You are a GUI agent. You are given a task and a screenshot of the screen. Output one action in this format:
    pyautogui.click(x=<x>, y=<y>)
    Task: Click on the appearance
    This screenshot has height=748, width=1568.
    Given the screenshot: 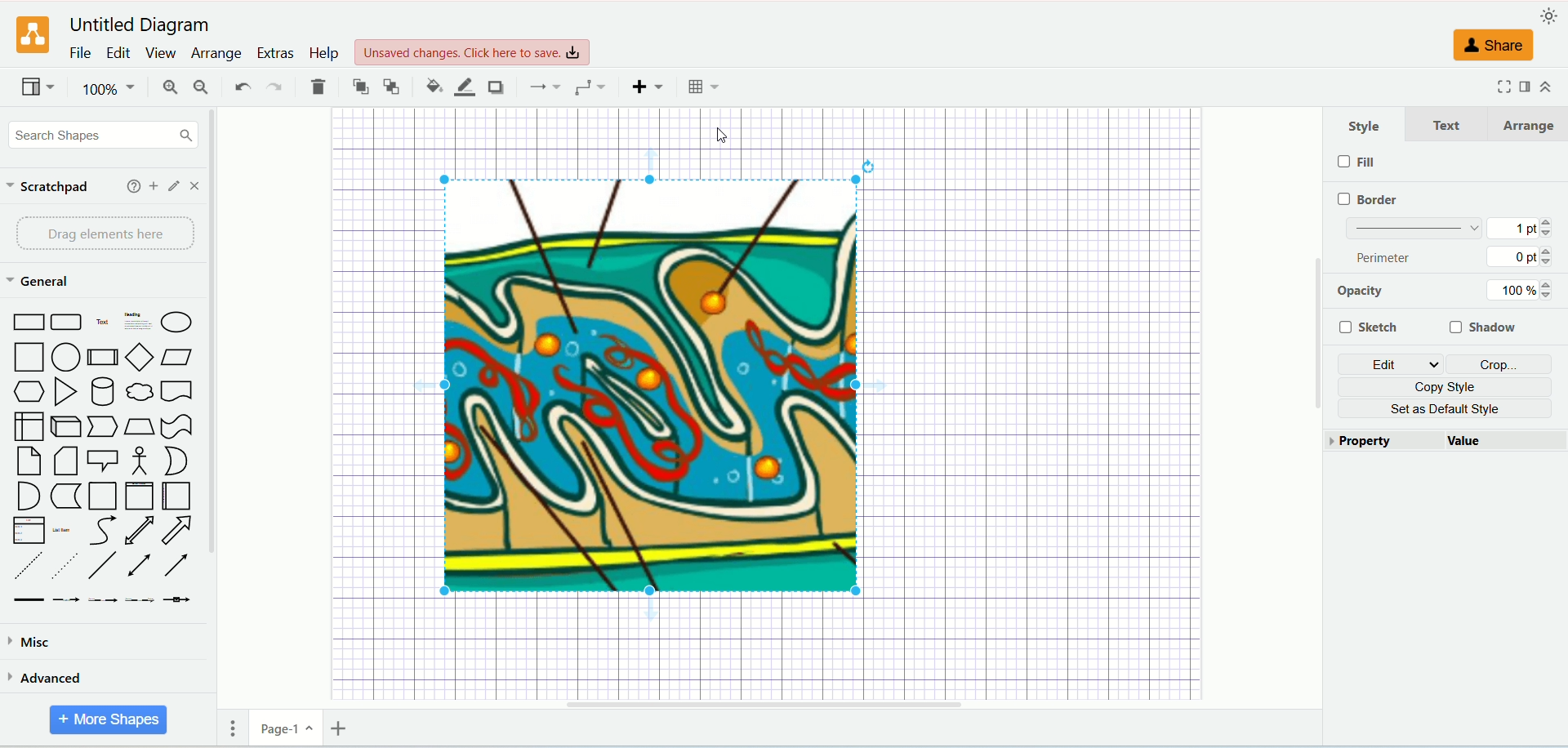 What is the action you would take?
    pyautogui.click(x=1552, y=16)
    